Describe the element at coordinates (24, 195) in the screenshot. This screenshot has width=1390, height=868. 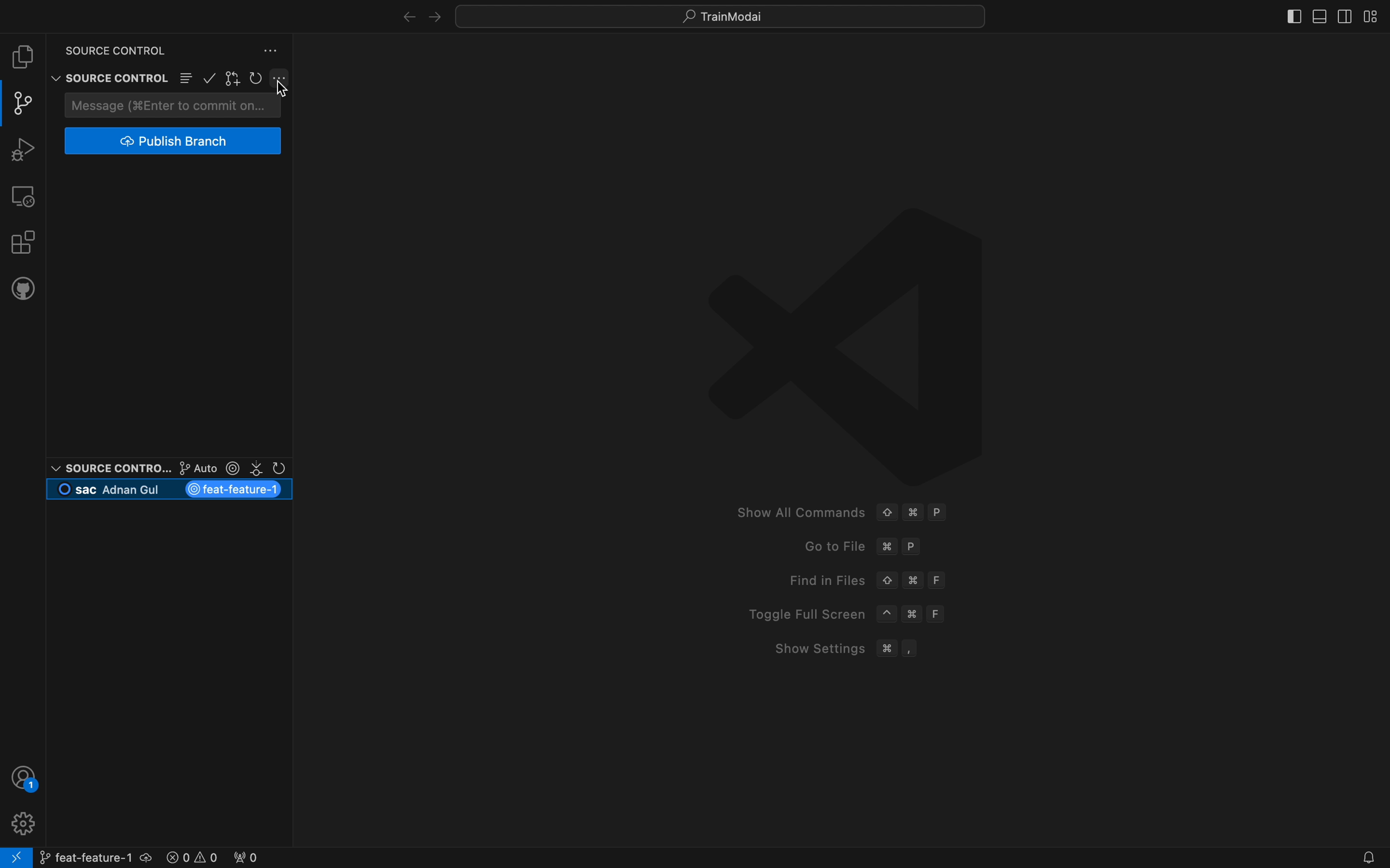
I see `remote` at that location.